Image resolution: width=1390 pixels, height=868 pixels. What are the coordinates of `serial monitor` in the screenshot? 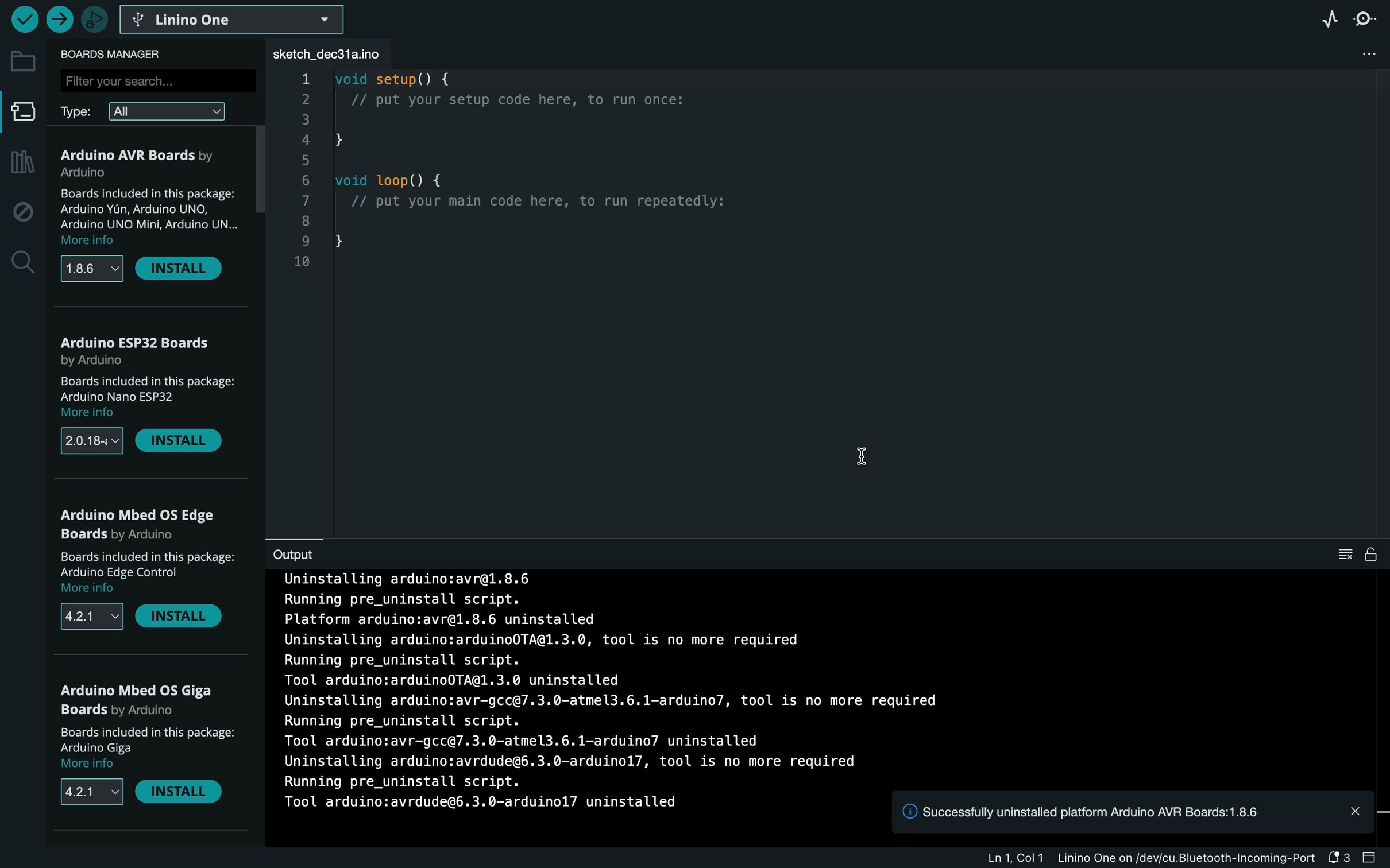 It's located at (1368, 20).